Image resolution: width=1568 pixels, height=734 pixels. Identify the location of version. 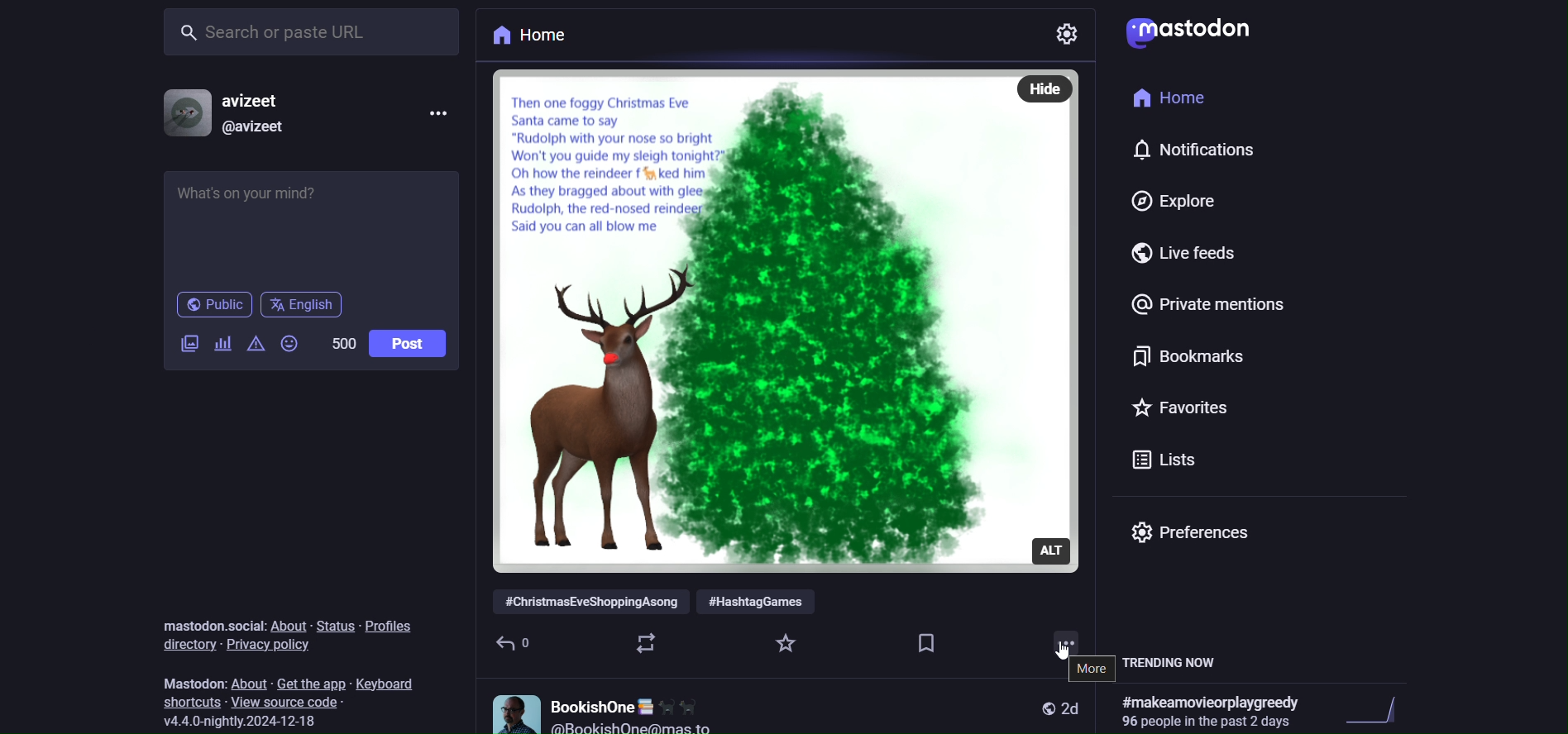
(253, 722).